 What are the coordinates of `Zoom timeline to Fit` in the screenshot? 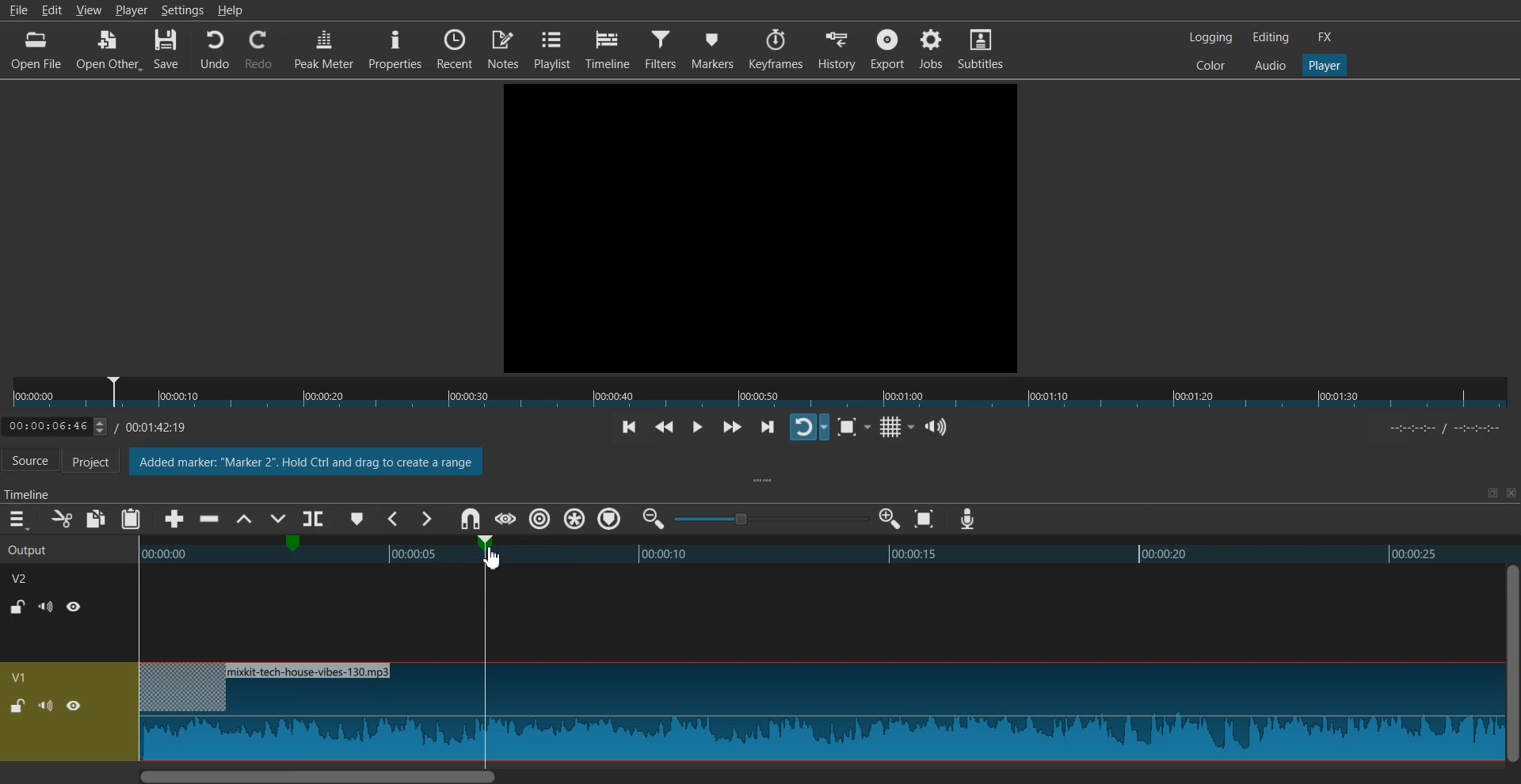 It's located at (924, 519).